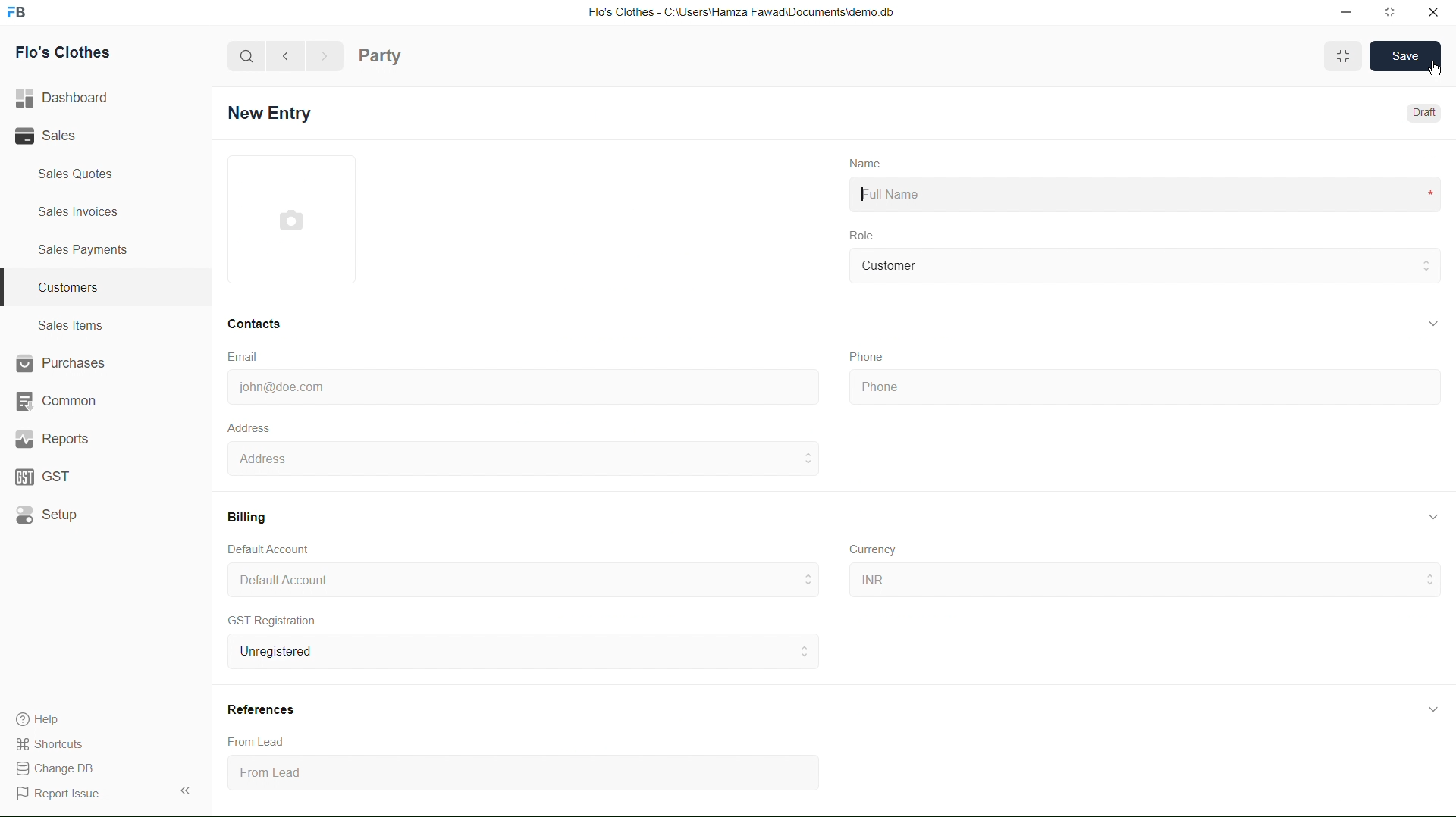 This screenshot has height=817, width=1456. What do you see at coordinates (187, 789) in the screenshot?
I see `Expand` at bounding box center [187, 789].